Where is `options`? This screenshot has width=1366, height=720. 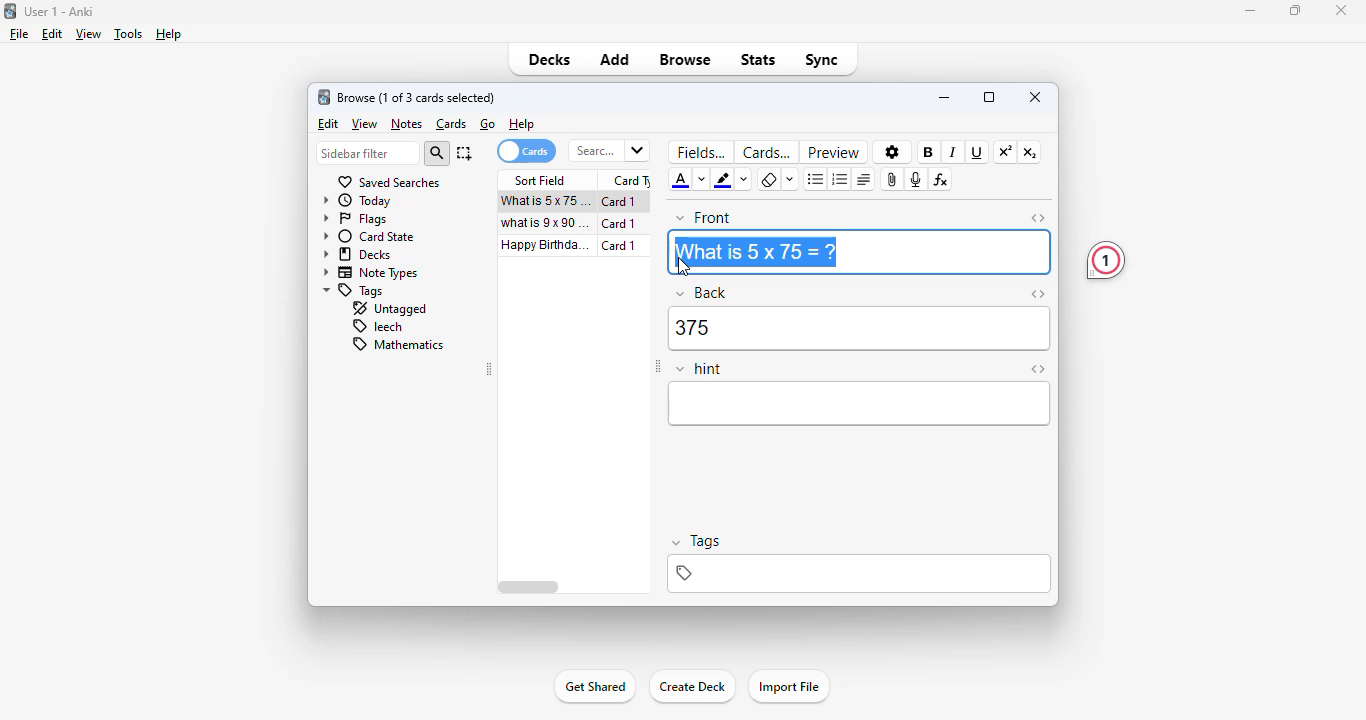
options is located at coordinates (890, 151).